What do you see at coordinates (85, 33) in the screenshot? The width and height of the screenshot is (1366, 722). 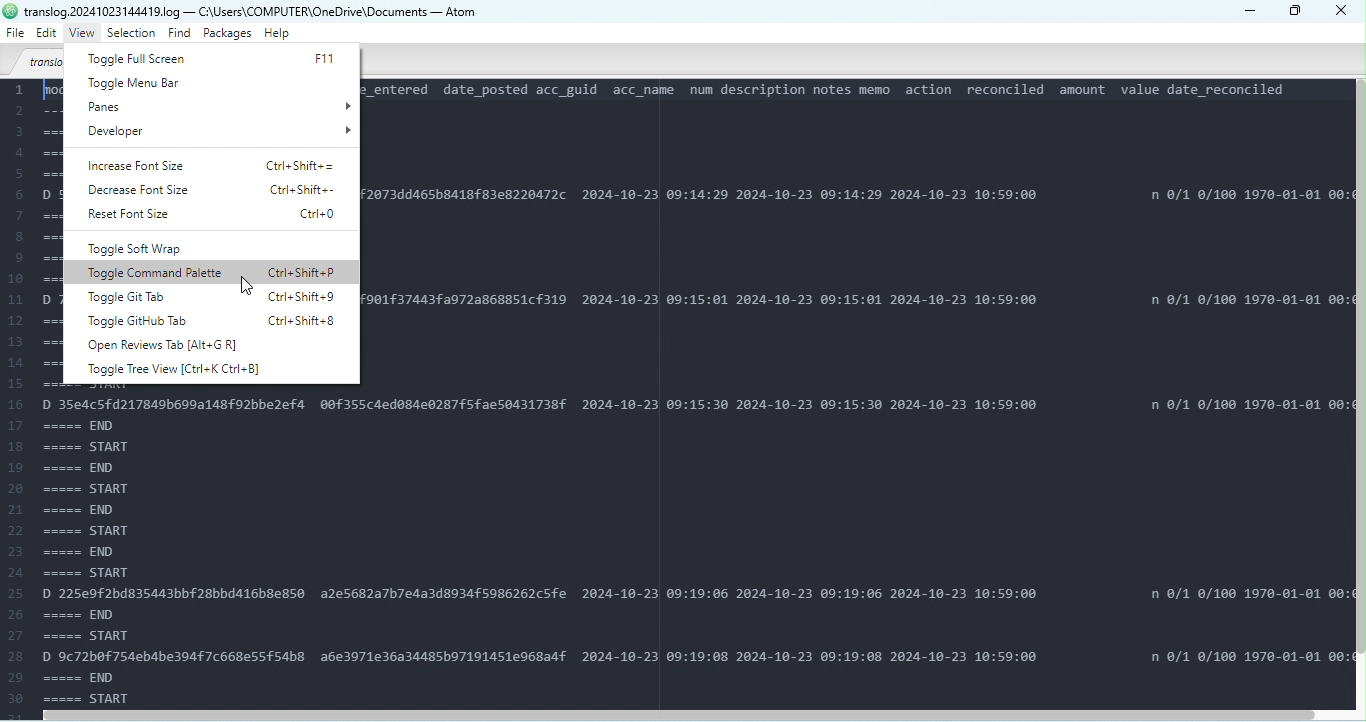 I see `View` at bounding box center [85, 33].